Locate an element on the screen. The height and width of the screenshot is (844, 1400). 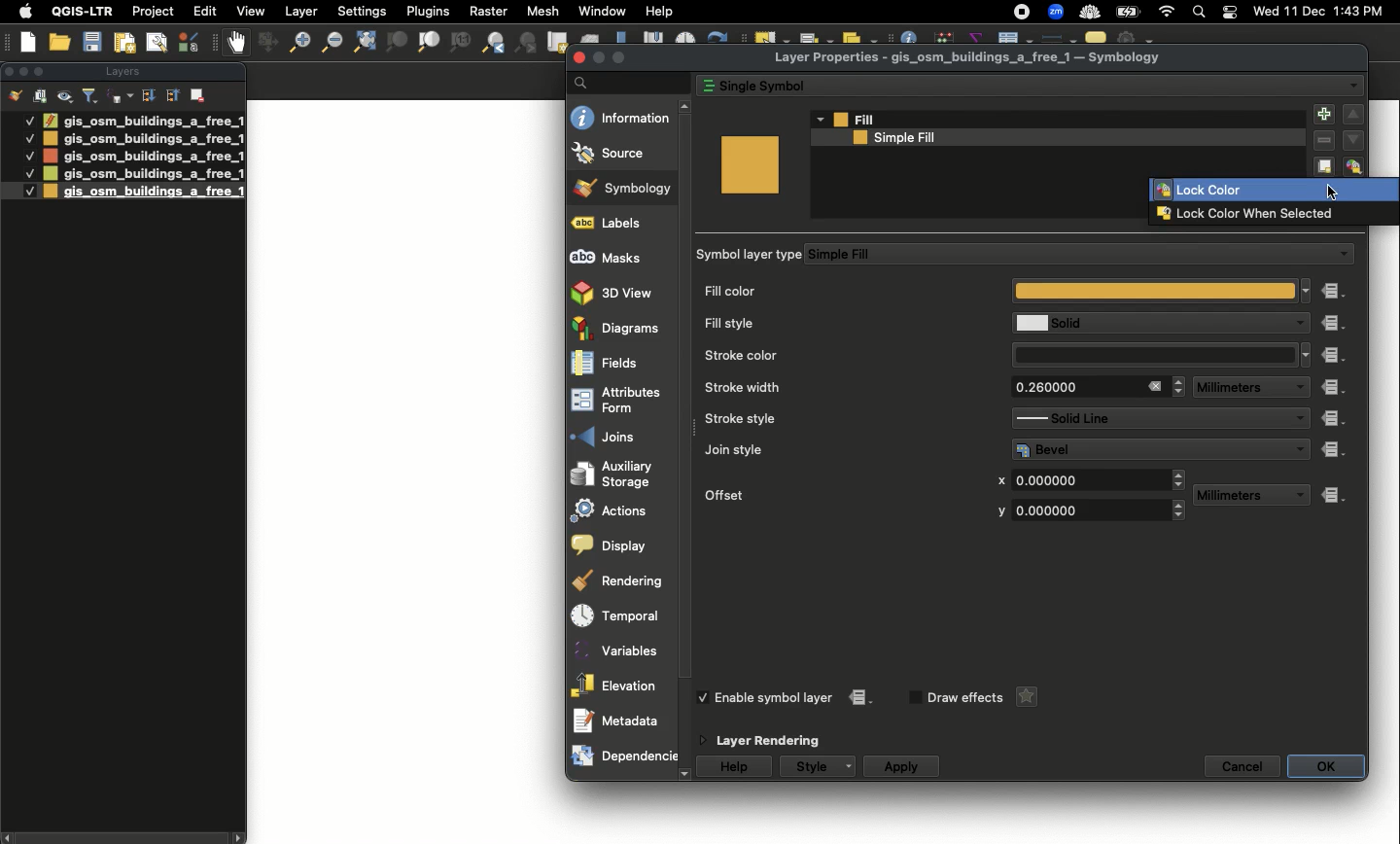
 Millimeters is located at coordinates (1232, 388).